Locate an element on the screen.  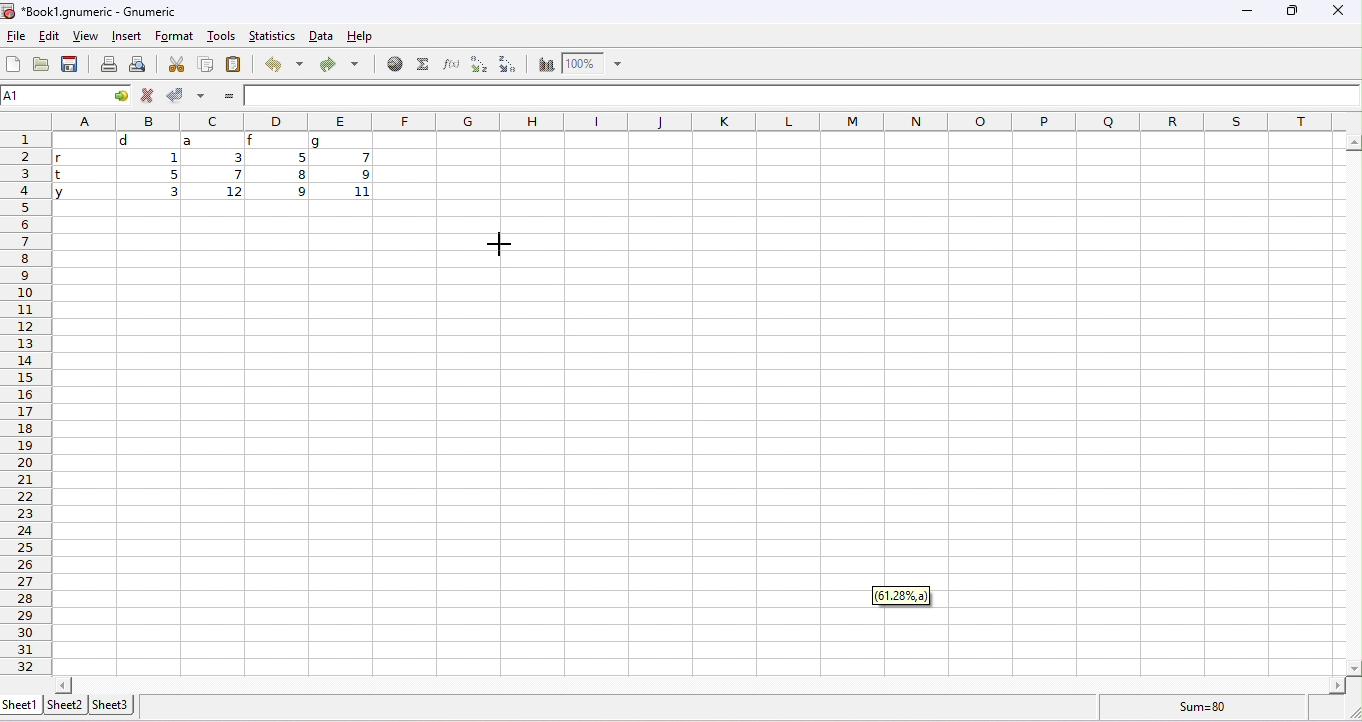
new is located at coordinates (12, 64).